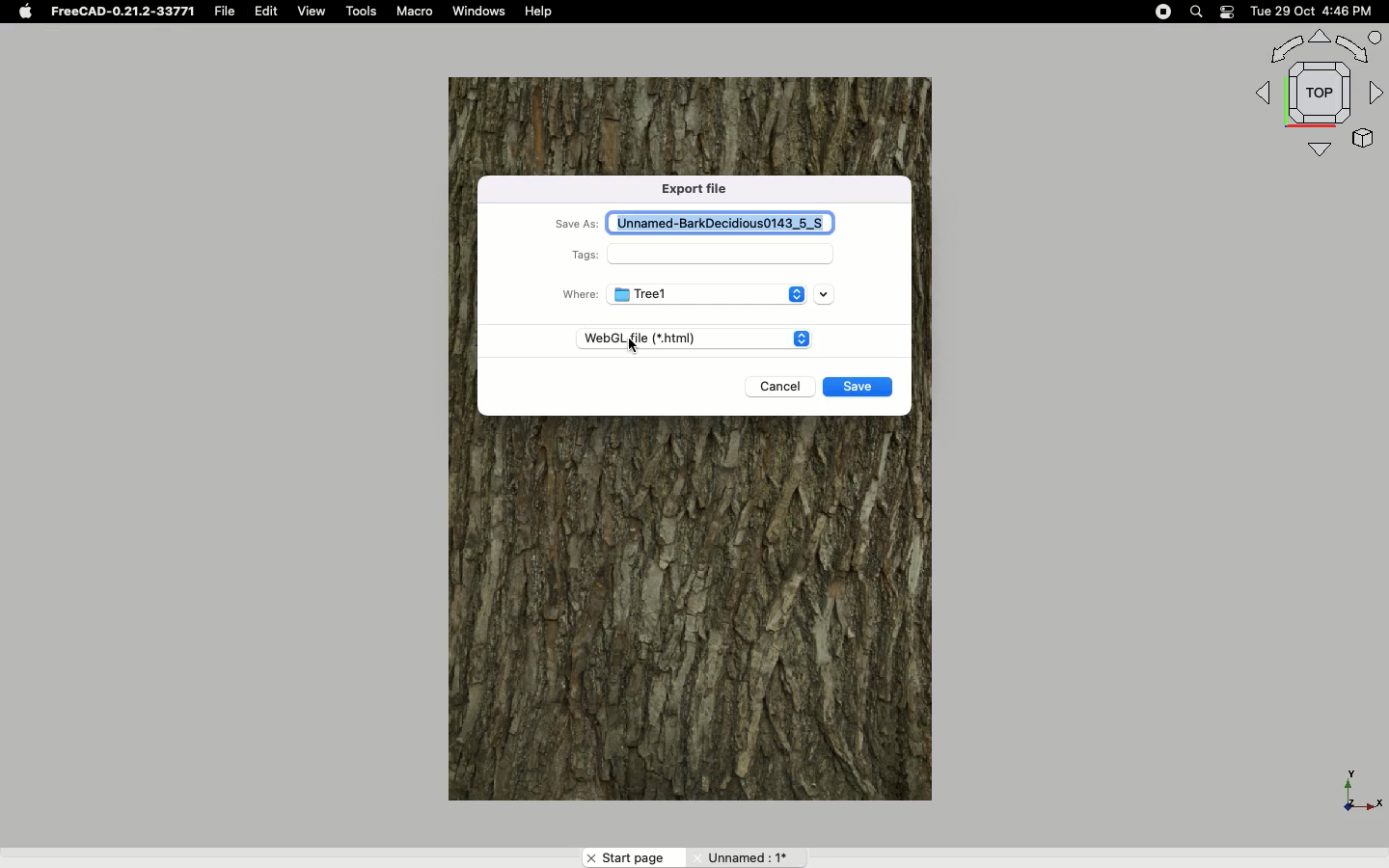 The image size is (1389, 868). I want to click on Cursor, so click(633, 348).